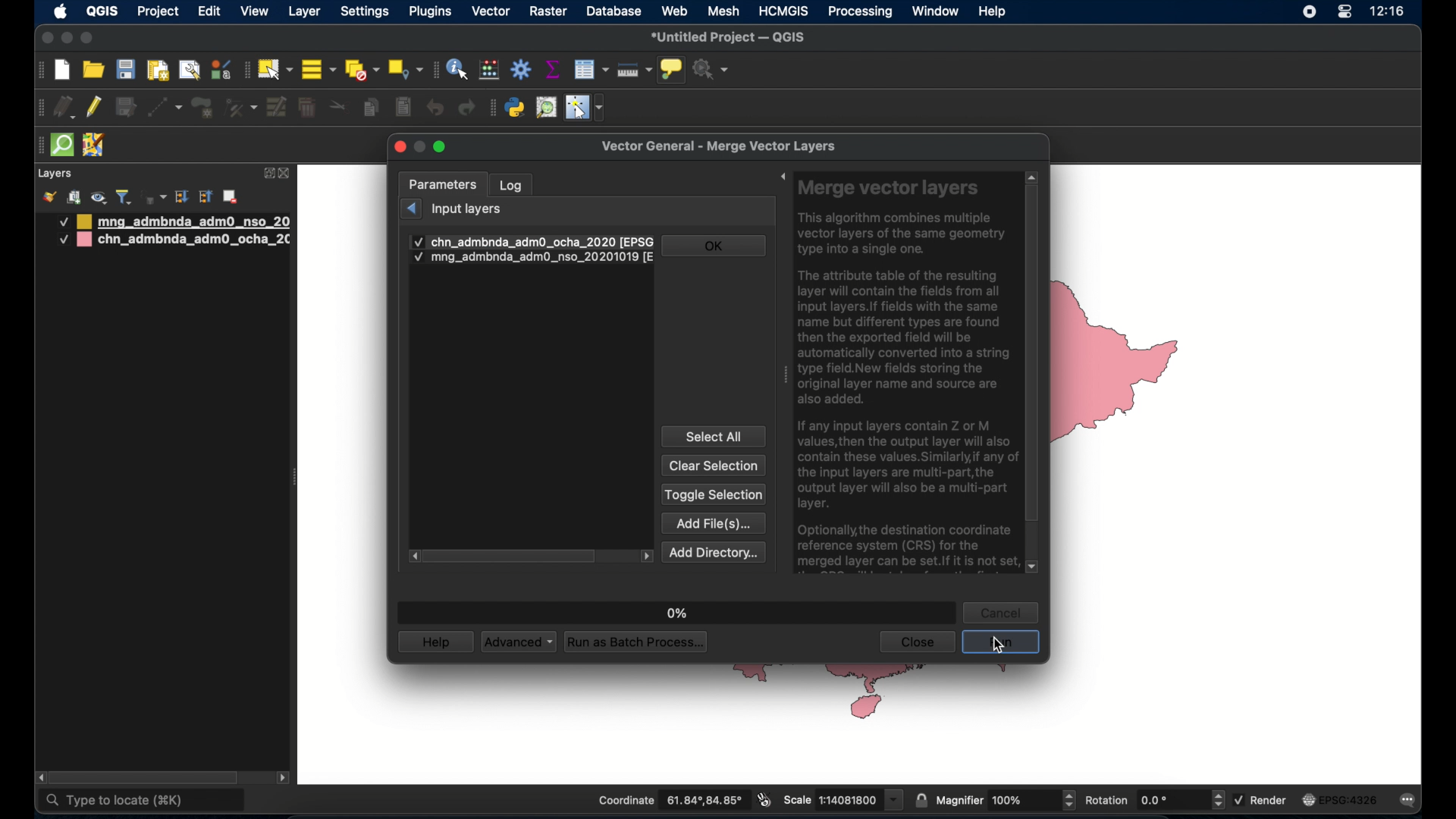  What do you see at coordinates (518, 642) in the screenshot?
I see `advanced` at bounding box center [518, 642].